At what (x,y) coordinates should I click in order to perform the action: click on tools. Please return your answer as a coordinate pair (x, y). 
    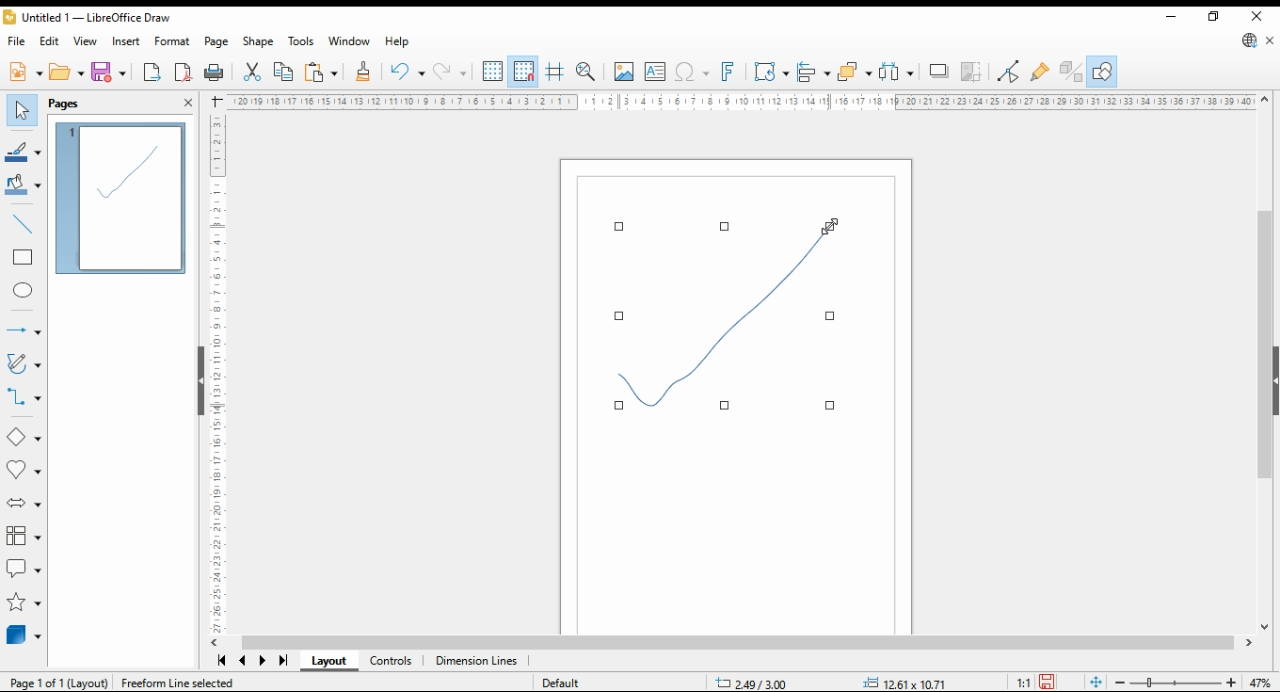
    Looking at the image, I should click on (302, 42).